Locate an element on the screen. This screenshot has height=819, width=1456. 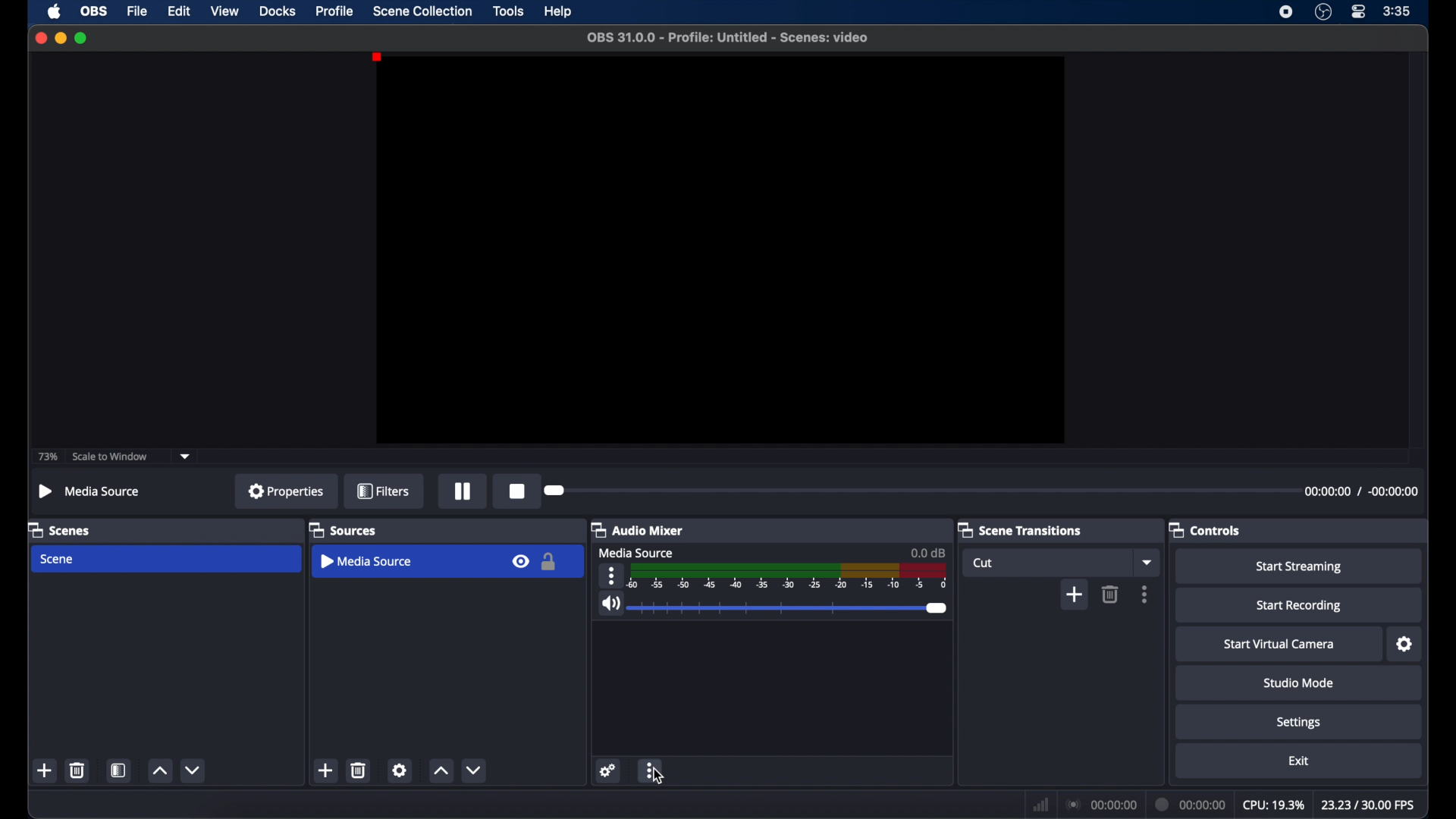
cut is located at coordinates (983, 563).